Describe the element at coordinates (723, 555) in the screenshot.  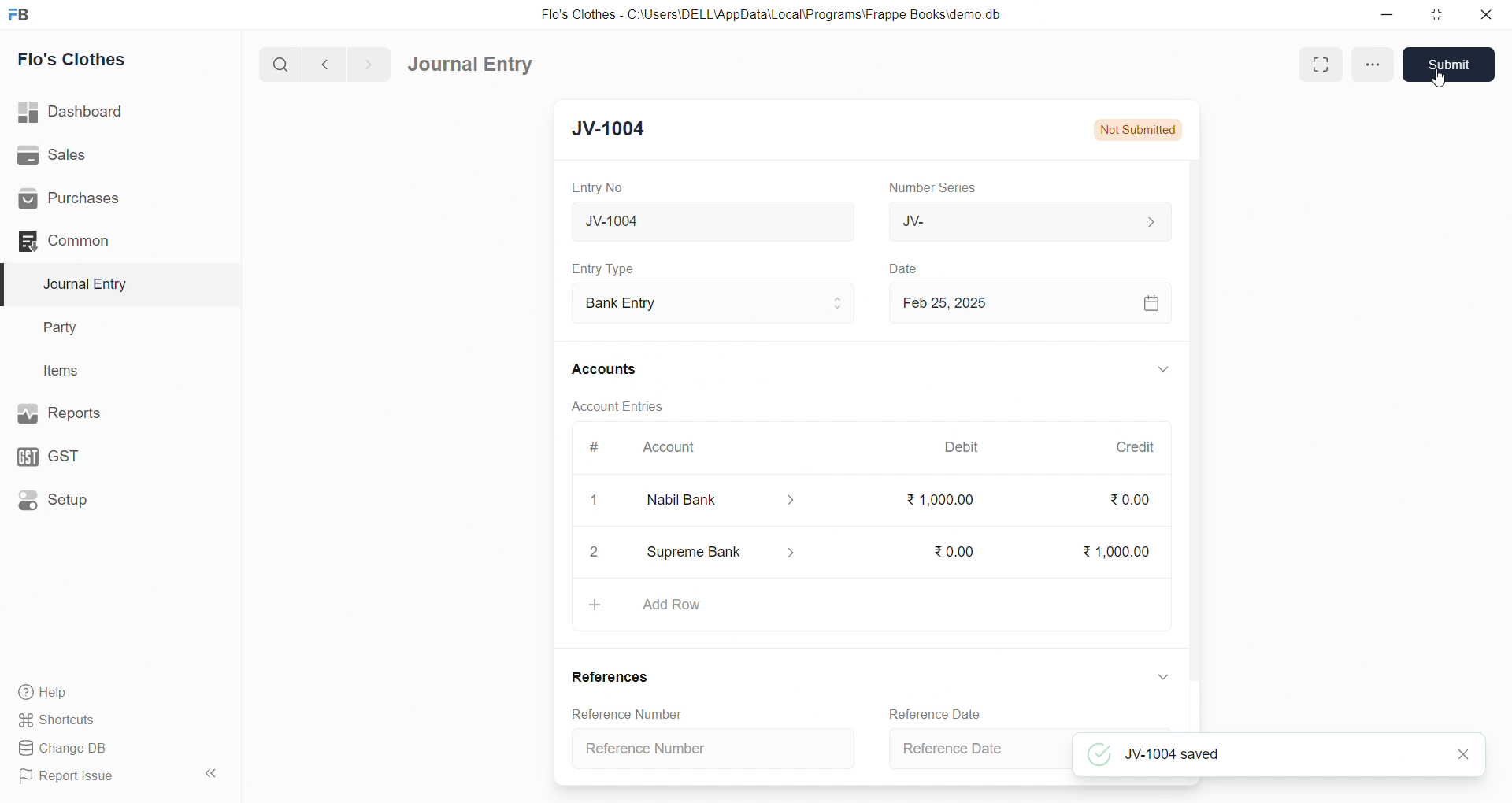
I see `Supreme Bank` at that location.